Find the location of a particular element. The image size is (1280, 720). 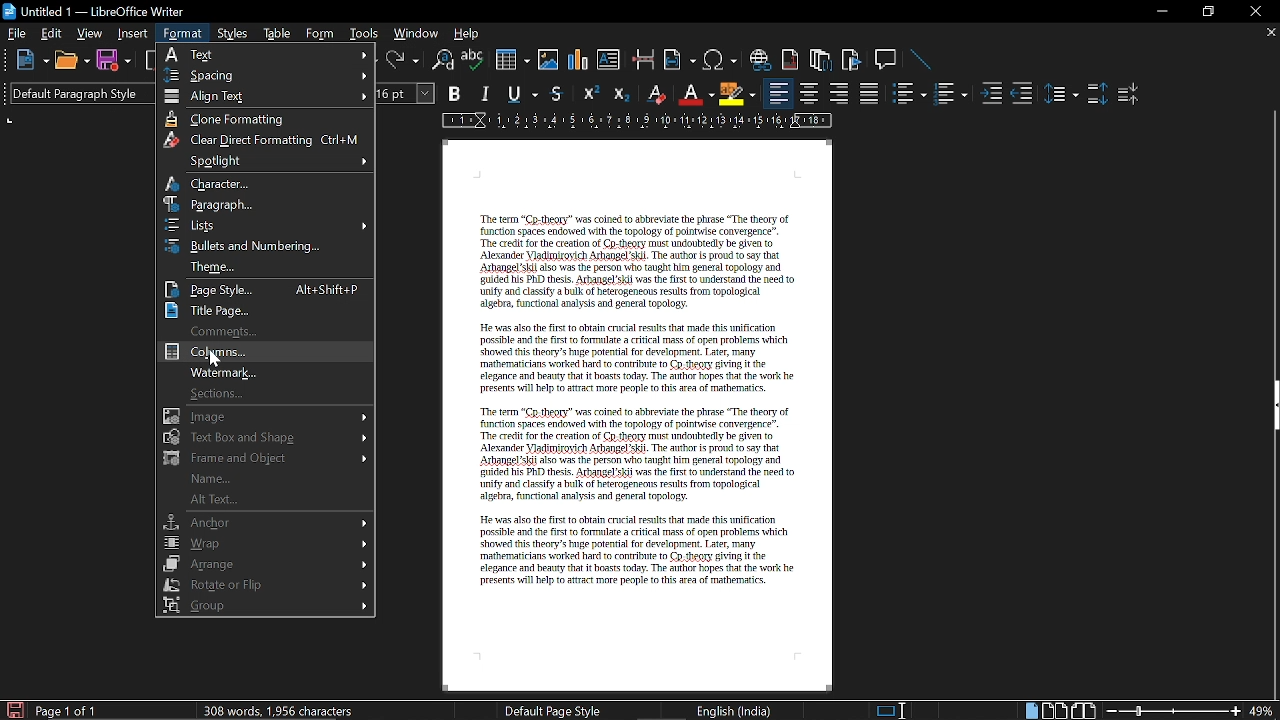

page style is located at coordinates (264, 288).